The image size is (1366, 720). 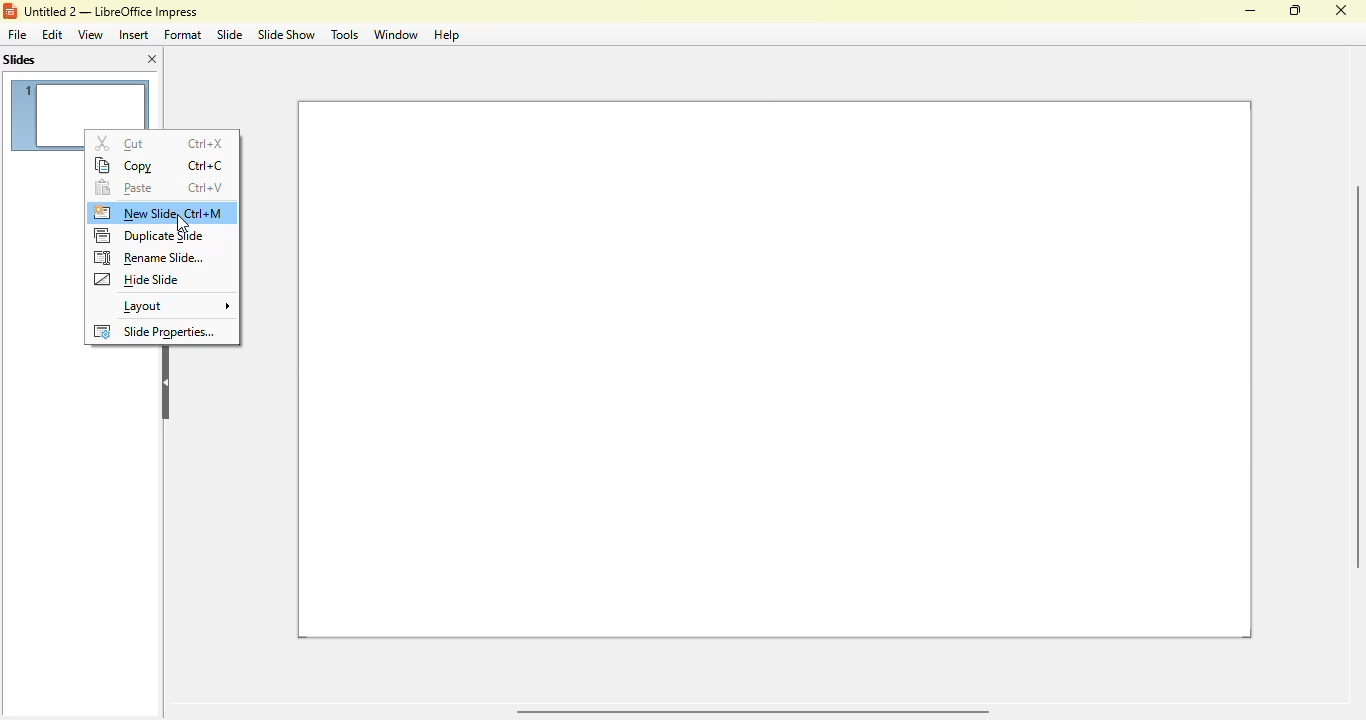 What do you see at coordinates (53, 35) in the screenshot?
I see `edit` at bounding box center [53, 35].